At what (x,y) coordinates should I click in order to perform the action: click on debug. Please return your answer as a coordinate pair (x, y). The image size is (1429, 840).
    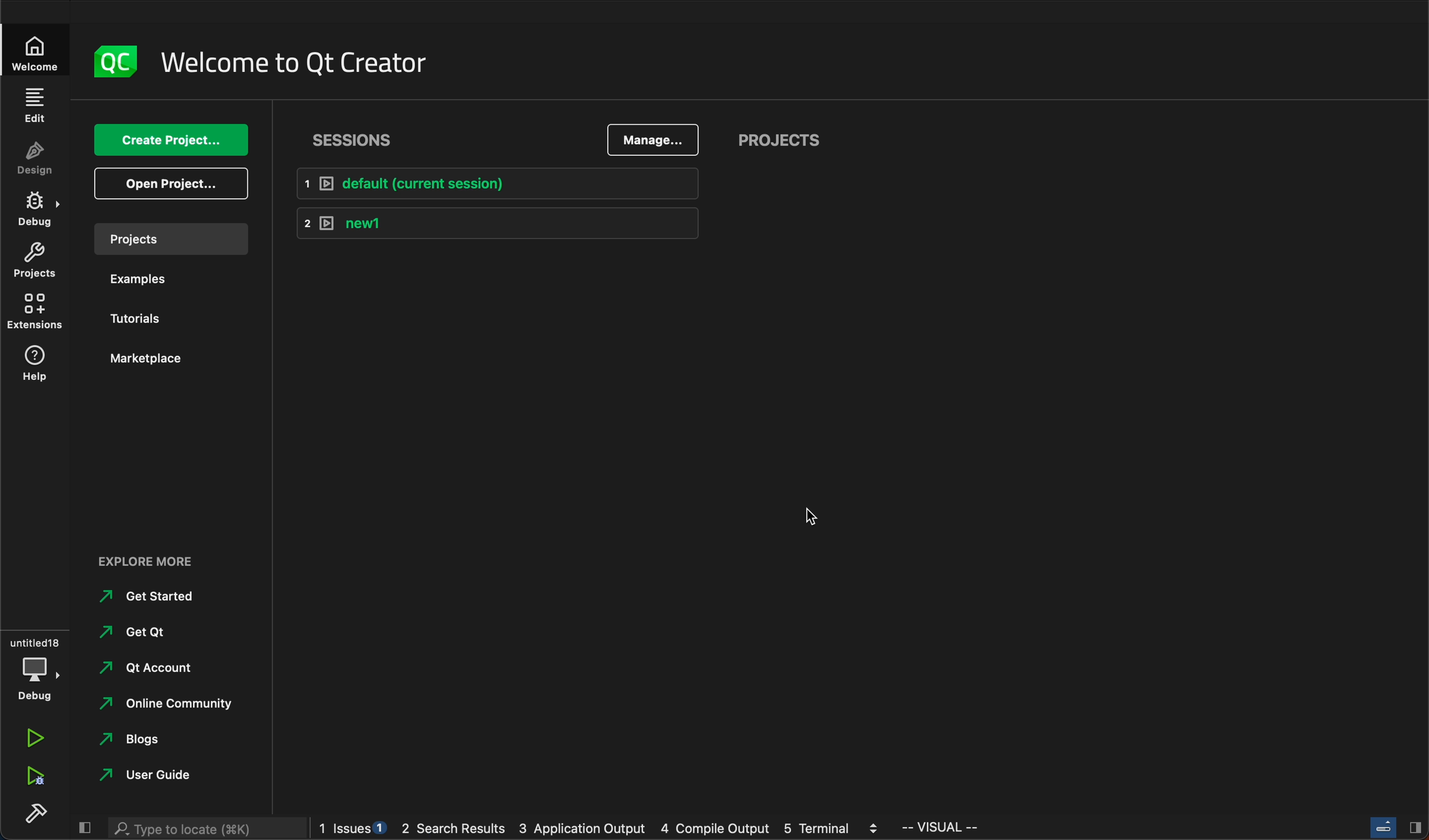
    Looking at the image, I should click on (34, 211).